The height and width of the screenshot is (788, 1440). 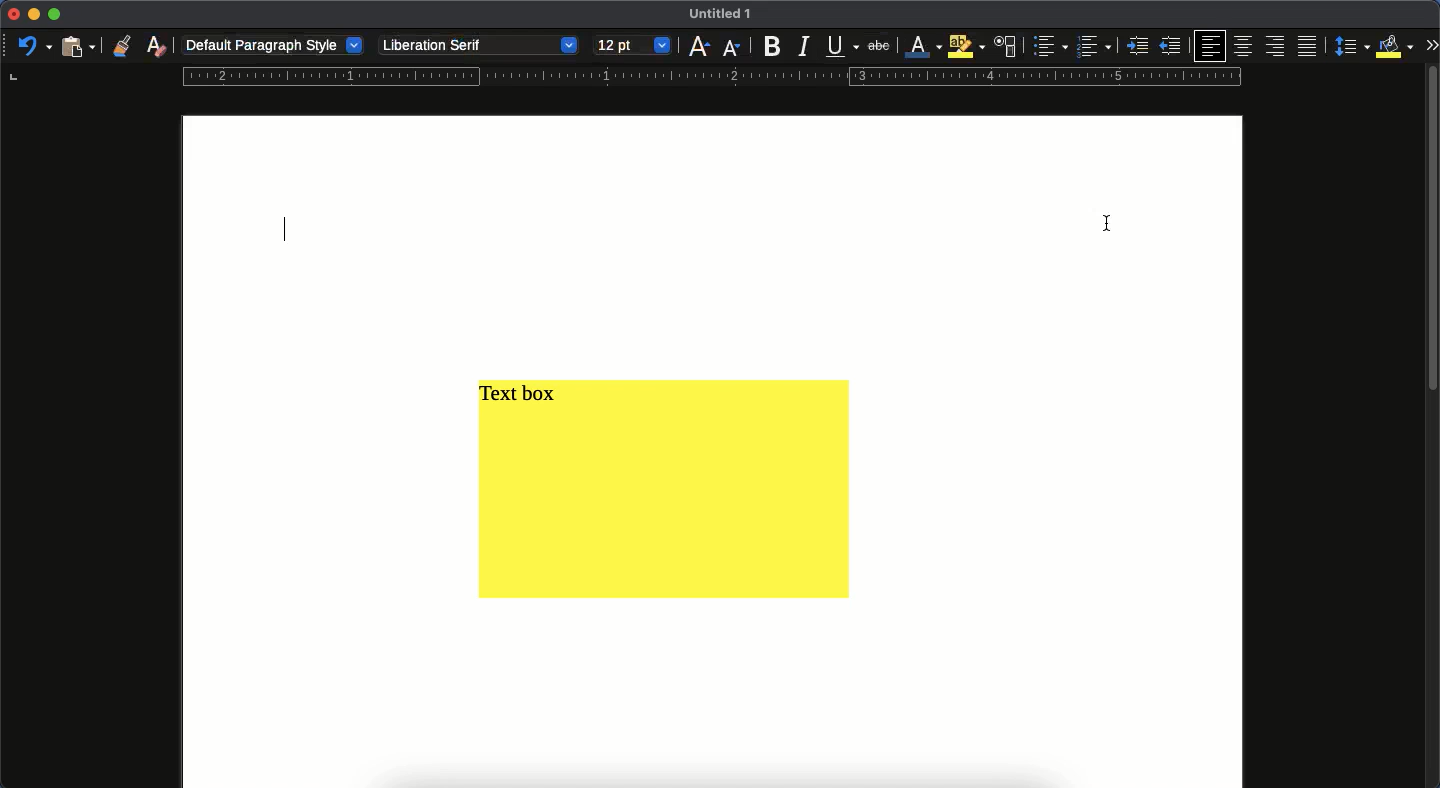 What do you see at coordinates (634, 44) in the screenshot?
I see `12 pt - font size` at bounding box center [634, 44].